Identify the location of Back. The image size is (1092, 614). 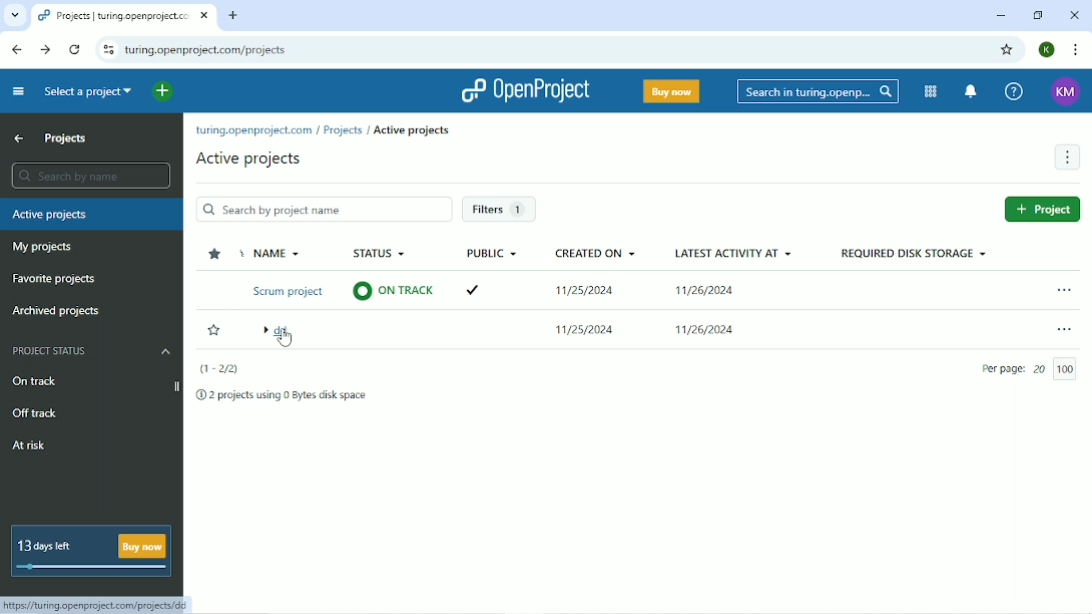
(17, 49).